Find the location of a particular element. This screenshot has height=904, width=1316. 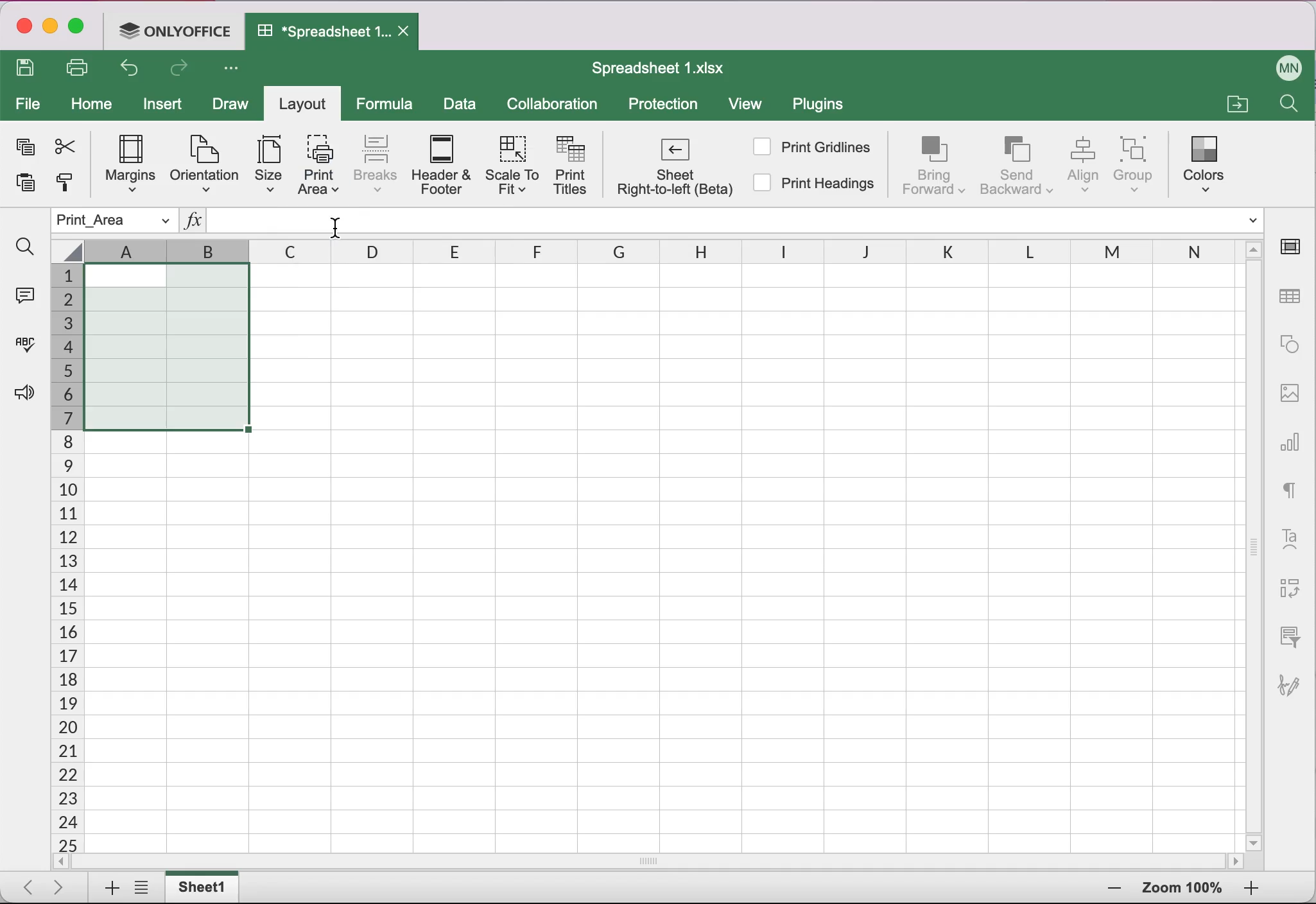

copy style is located at coordinates (64, 187).